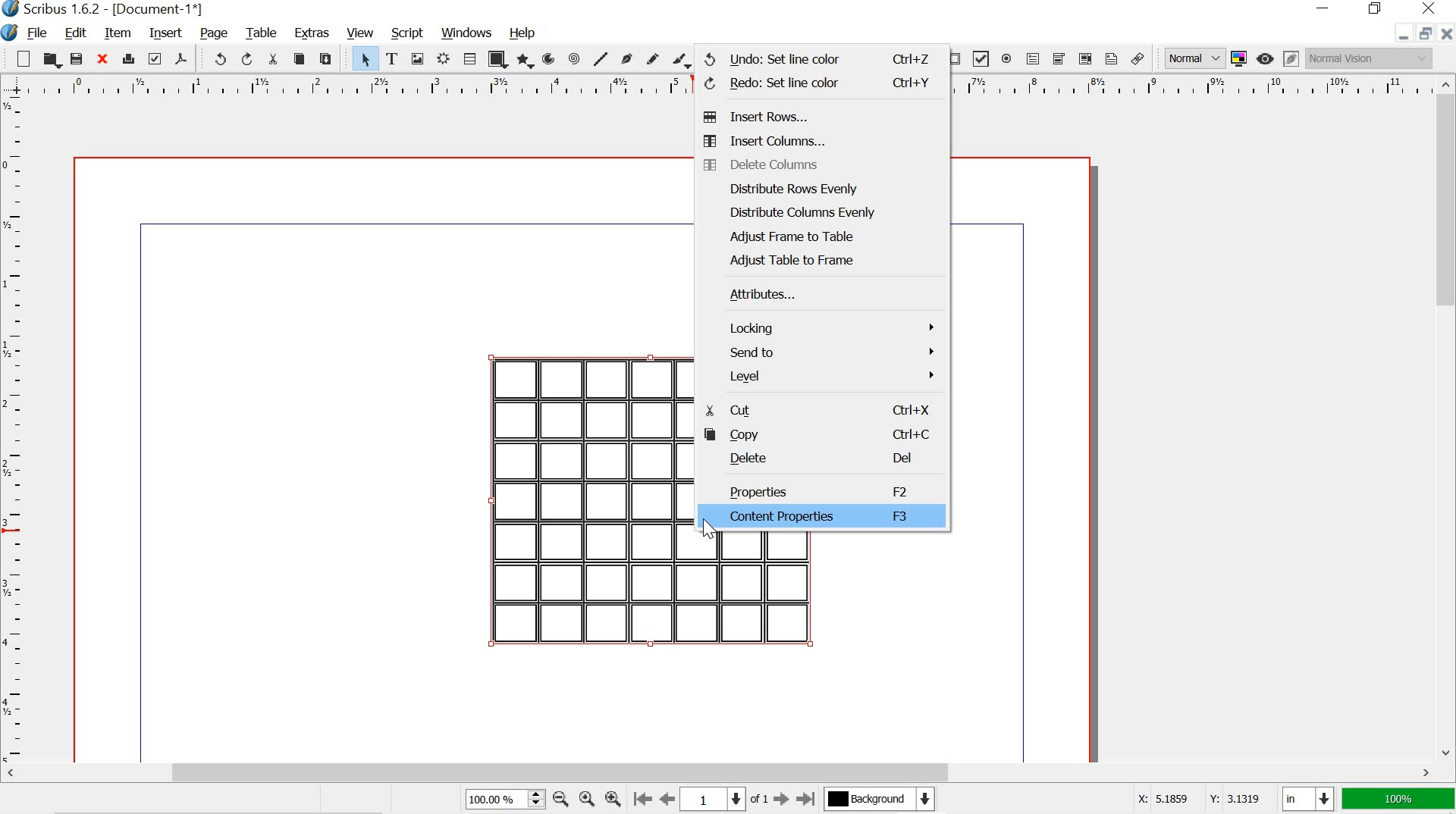  What do you see at coordinates (488, 801) in the screenshot?
I see `100.00%` at bounding box center [488, 801].